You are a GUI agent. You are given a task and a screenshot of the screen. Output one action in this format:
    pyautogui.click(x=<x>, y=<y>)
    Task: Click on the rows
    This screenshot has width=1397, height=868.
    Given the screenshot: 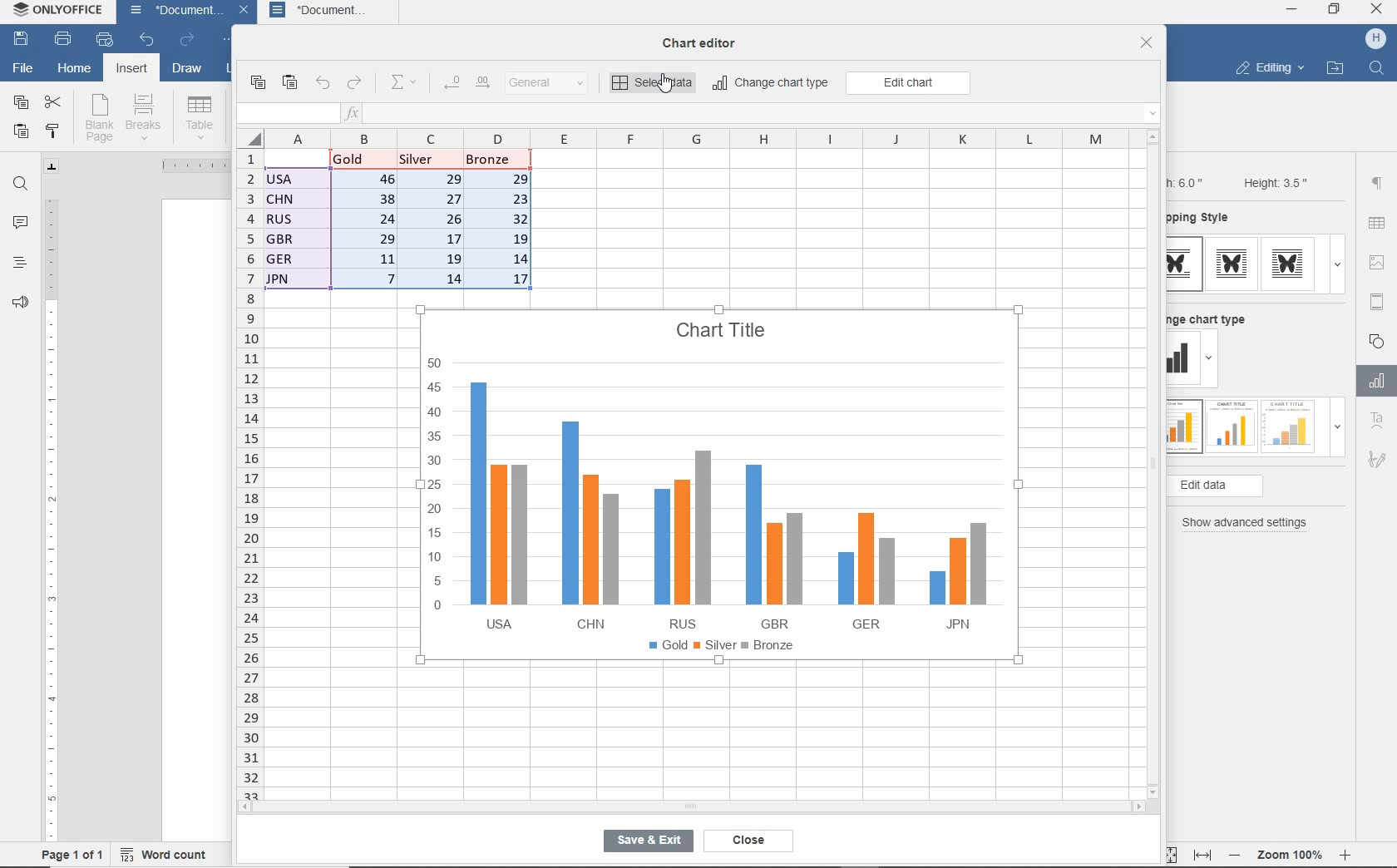 What is the action you would take?
    pyautogui.click(x=248, y=473)
    